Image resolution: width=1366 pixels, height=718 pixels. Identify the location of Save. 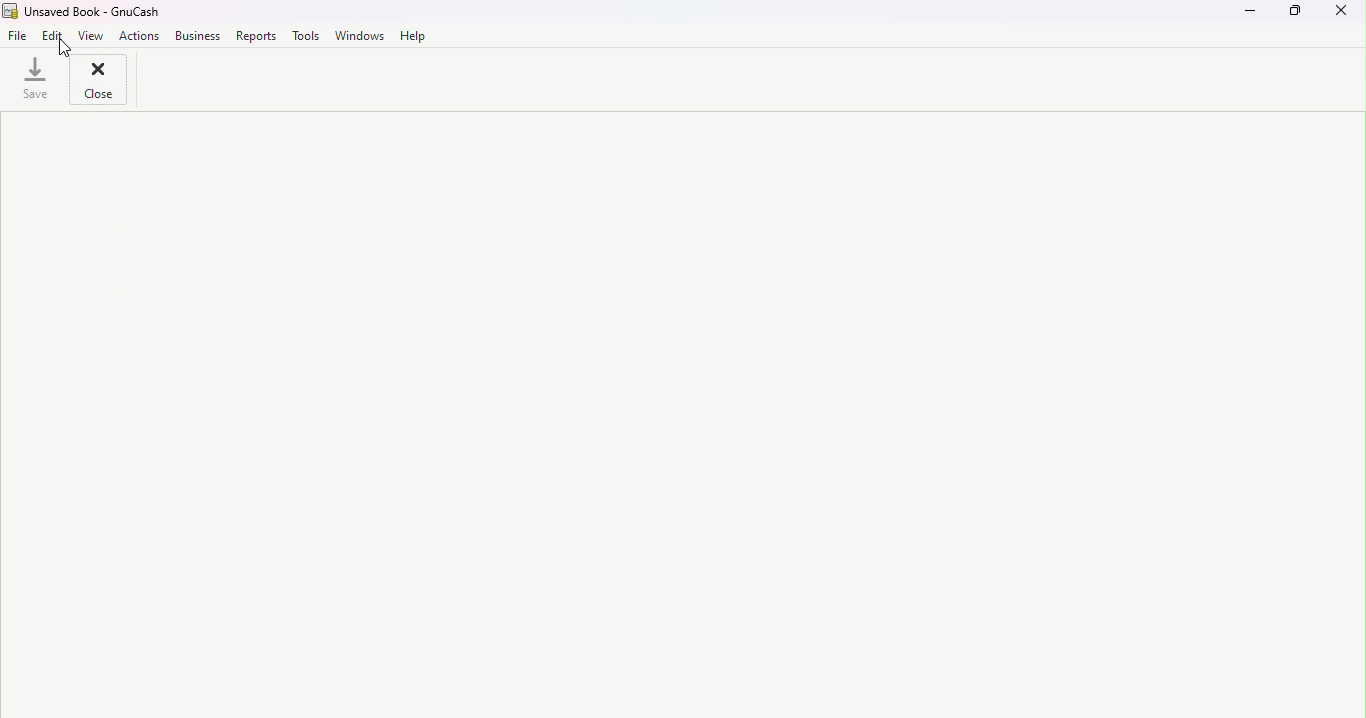
(32, 84).